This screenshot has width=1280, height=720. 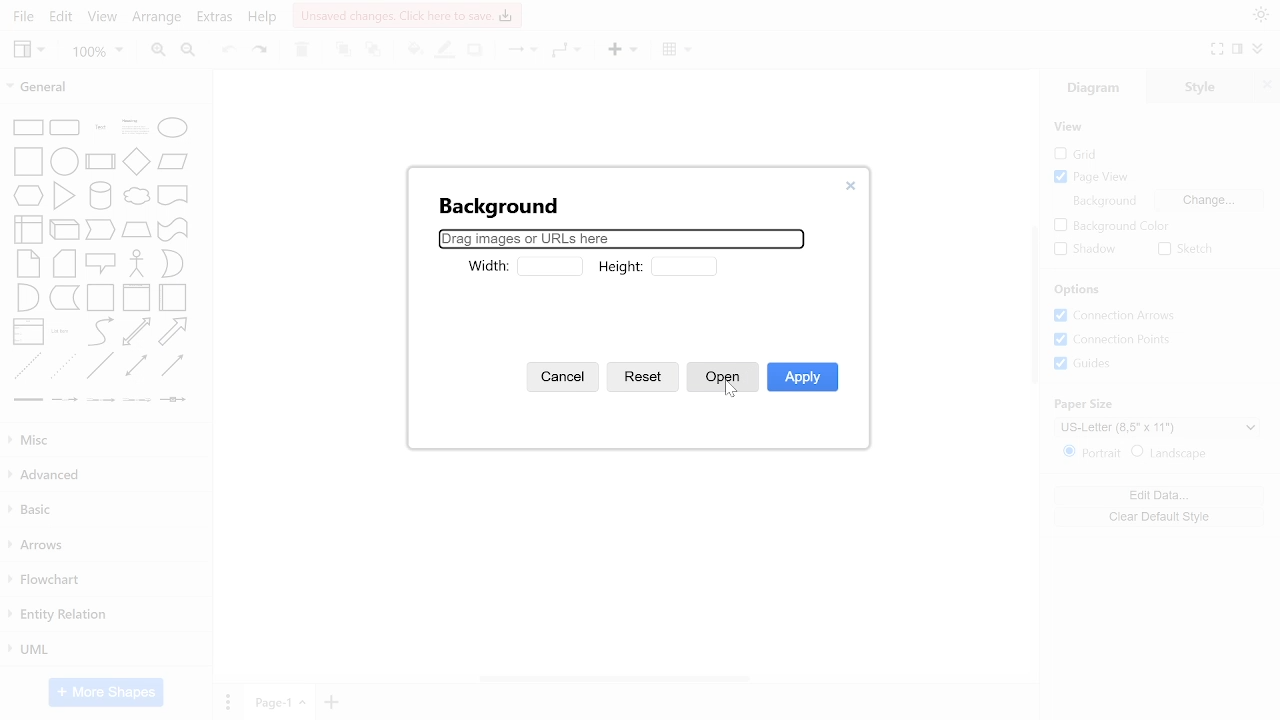 I want to click on general shapes, so click(x=170, y=228).